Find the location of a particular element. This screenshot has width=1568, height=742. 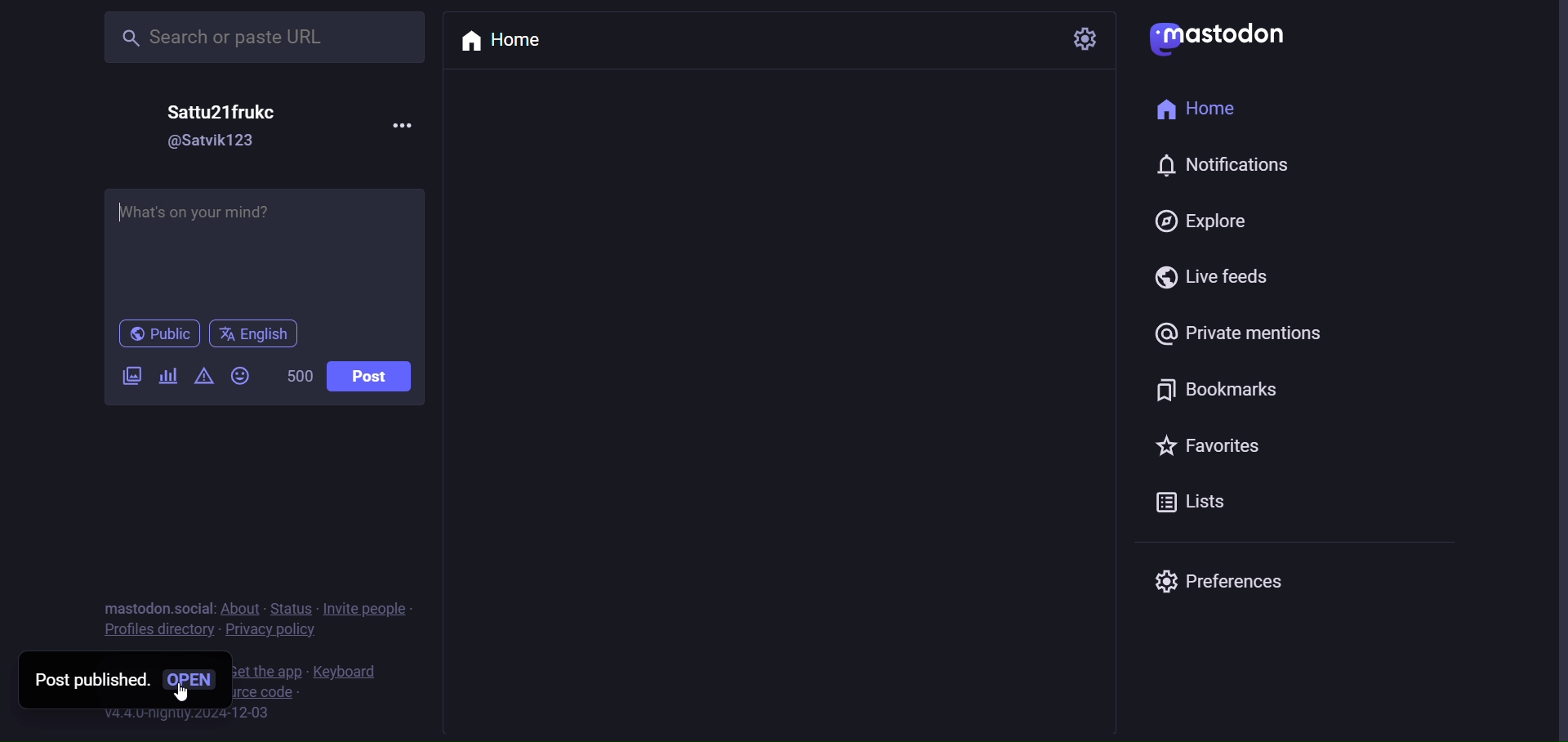

keyboard is located at coordinates (346, 671).